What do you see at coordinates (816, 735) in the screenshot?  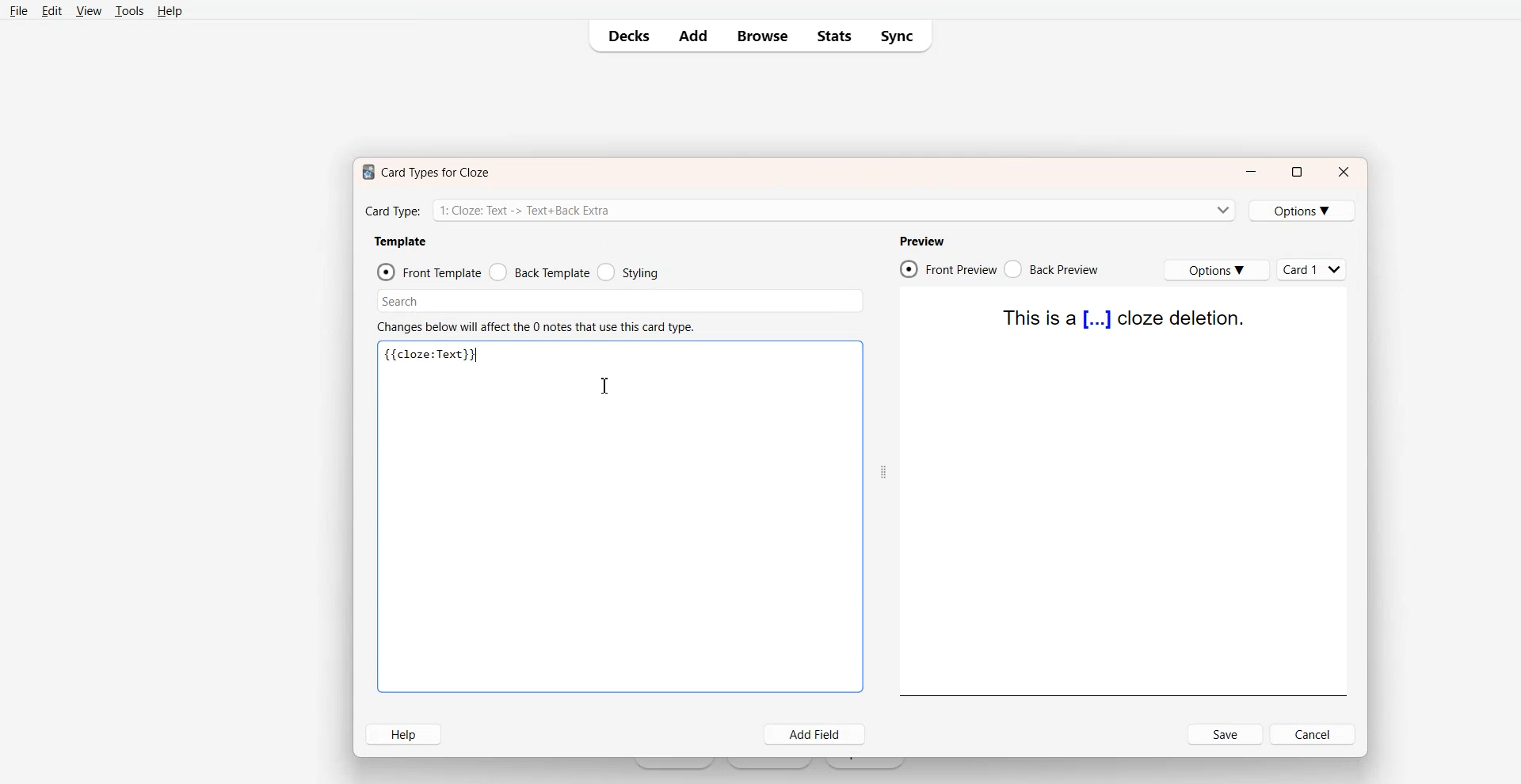 I see `Add Field` at bounding box center [816, 735].